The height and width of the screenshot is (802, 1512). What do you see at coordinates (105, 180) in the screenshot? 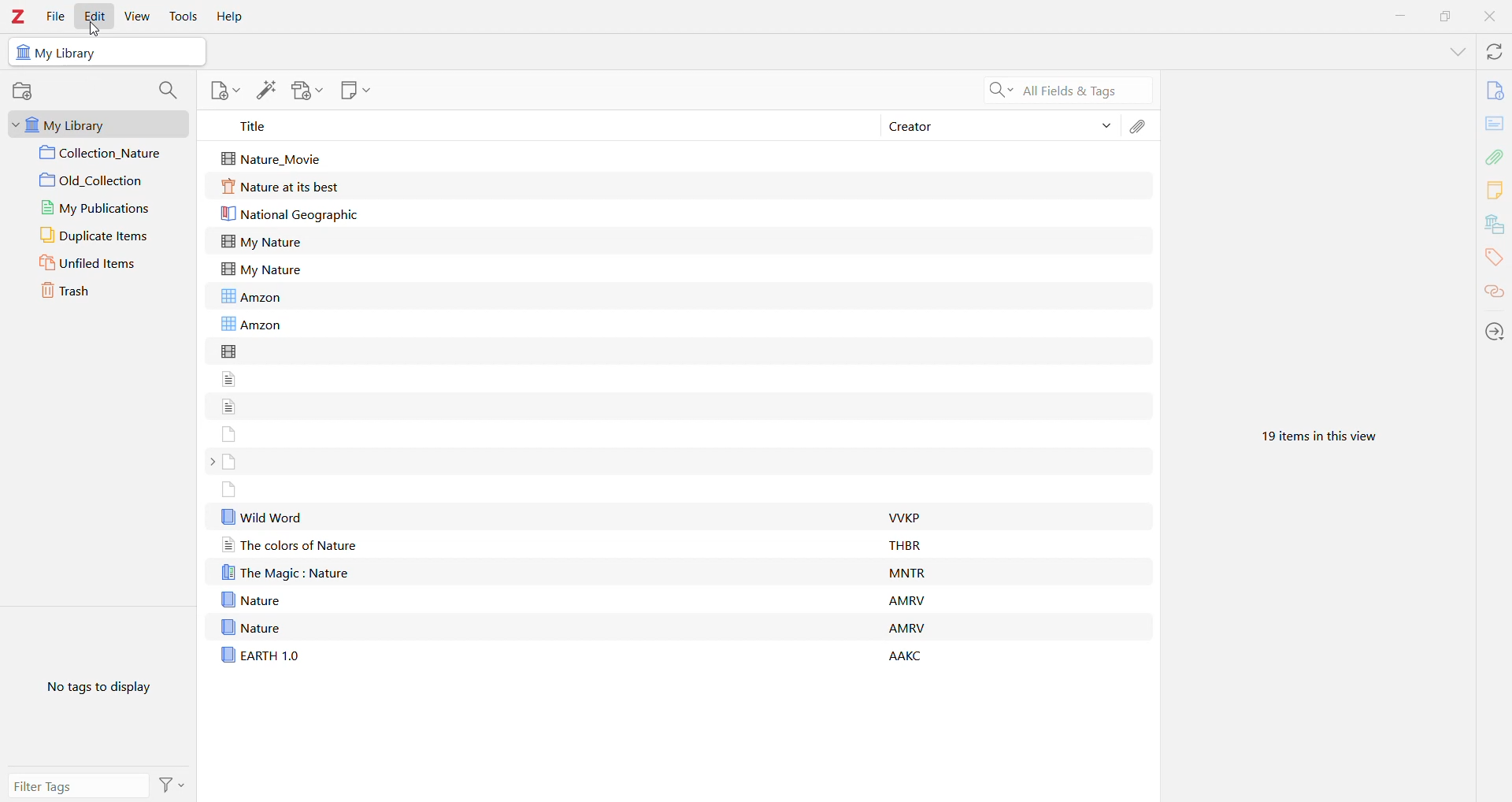
I see `Collection 2` at bounding box center [105, 180].